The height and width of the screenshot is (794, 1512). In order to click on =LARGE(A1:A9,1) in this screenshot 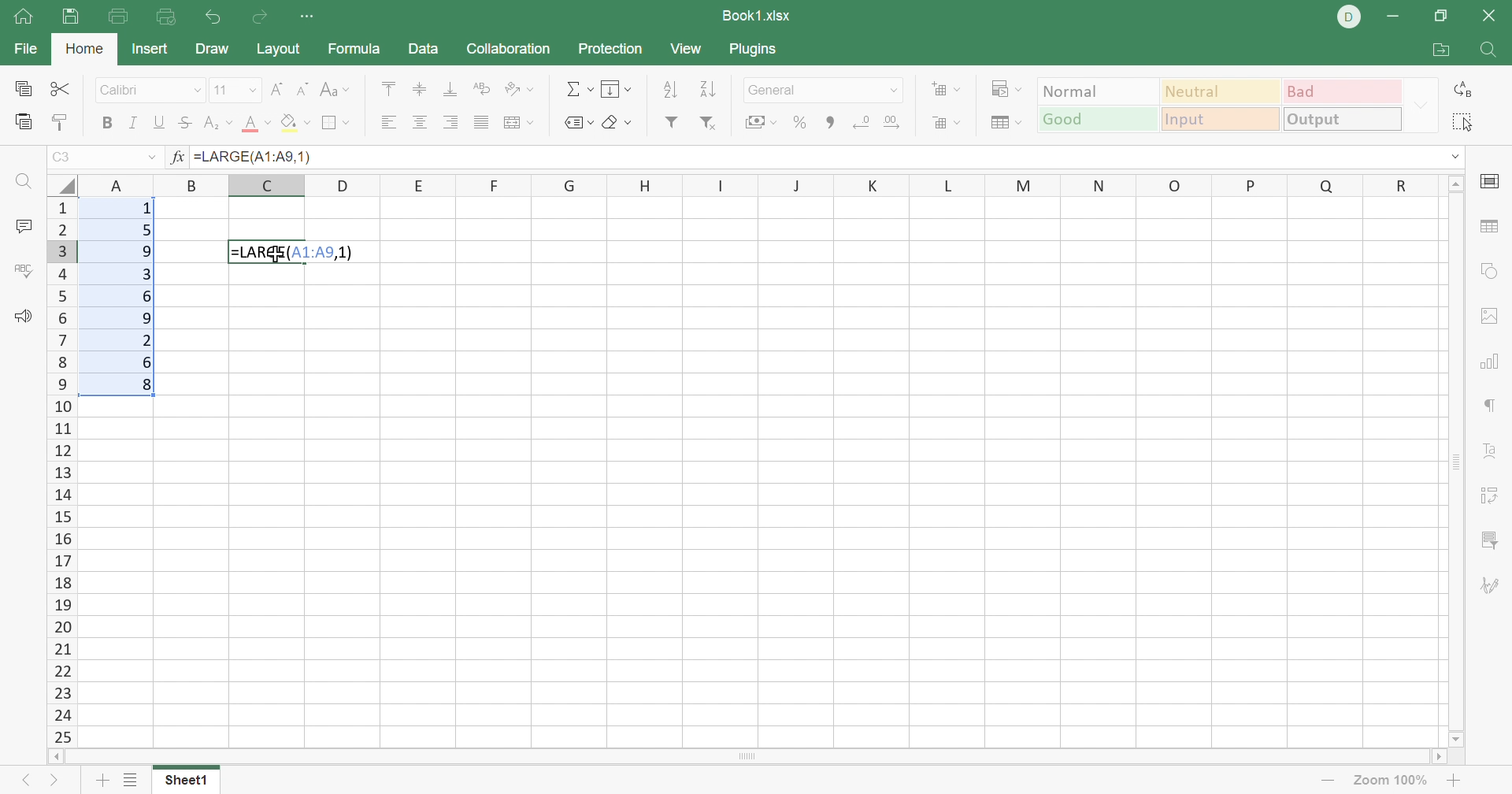, I will do `click(295, 252)`.